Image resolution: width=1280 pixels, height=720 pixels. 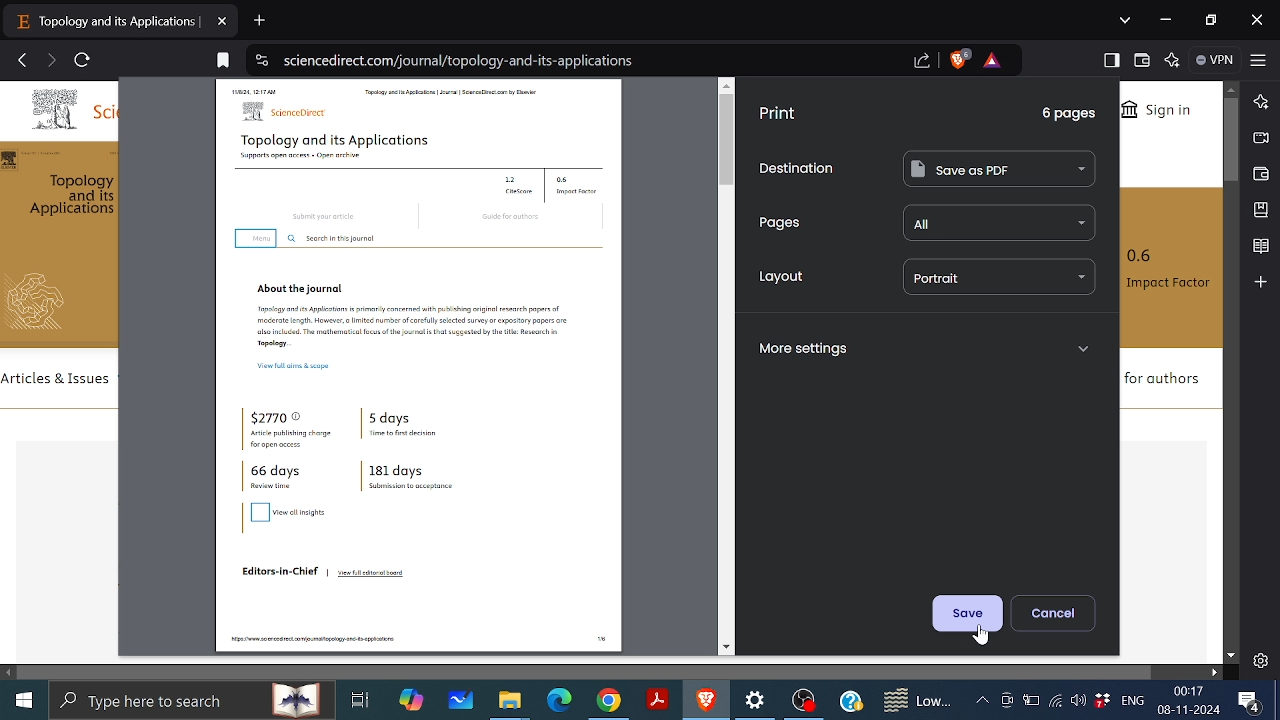 What do you see at coordinates (1215, 61) in the screenshot?
I see `VPN` at bounding box center [1215, 61].